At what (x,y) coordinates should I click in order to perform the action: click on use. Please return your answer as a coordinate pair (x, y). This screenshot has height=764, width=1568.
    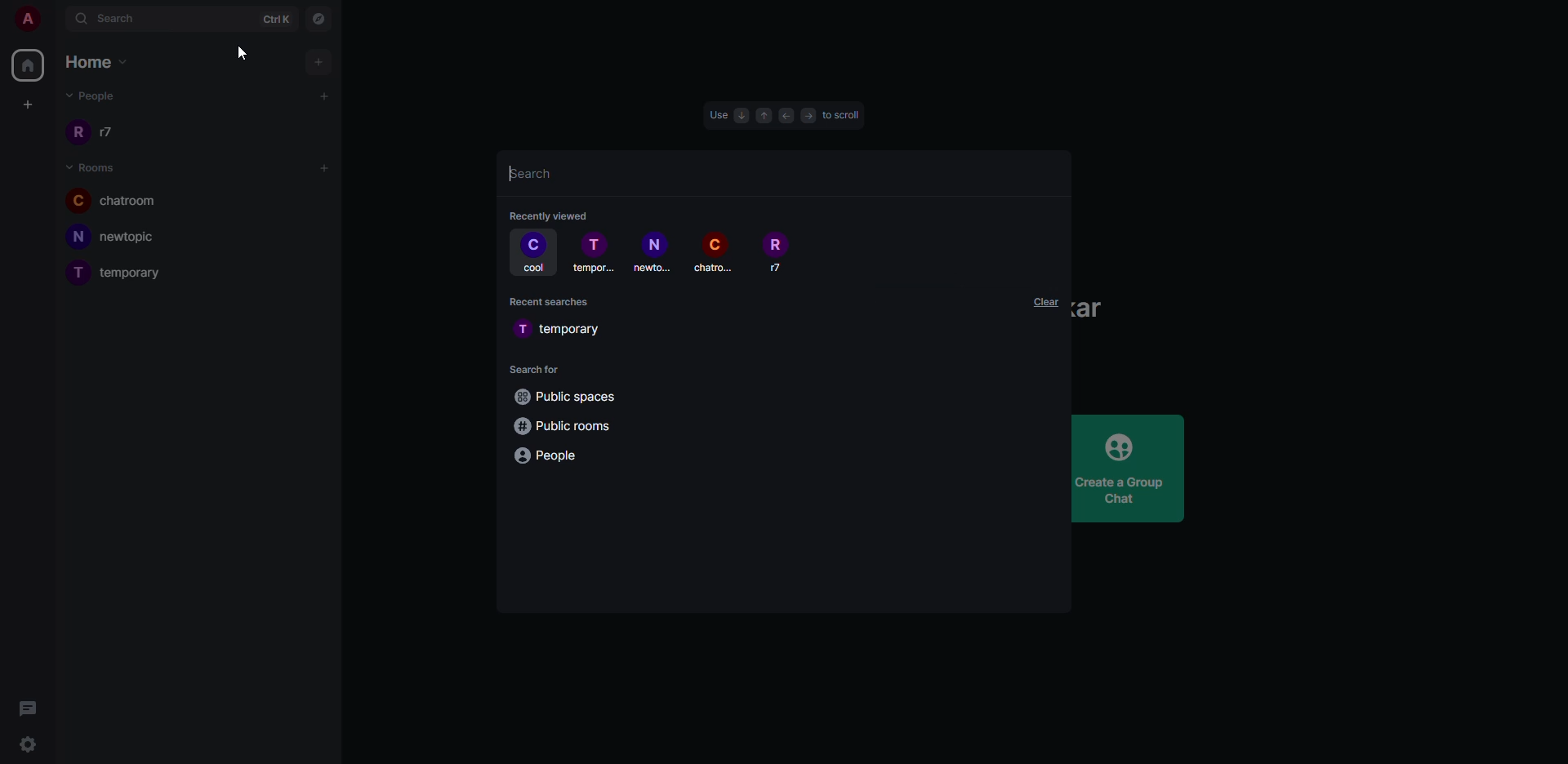
    Looking at the image, I should click on (717, 114).